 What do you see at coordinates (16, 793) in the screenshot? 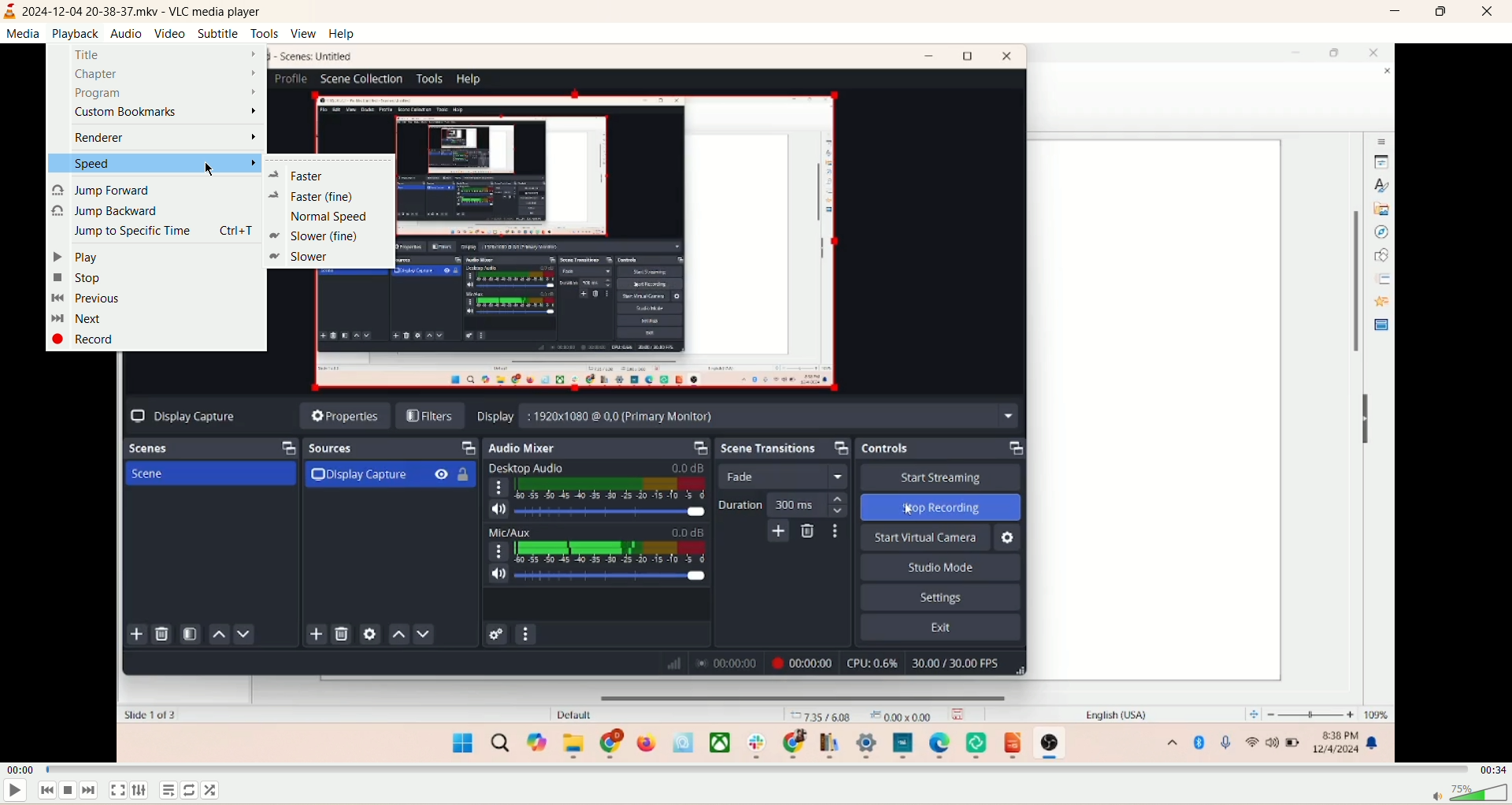
I see `play/pause` at bounding box center [16, 793].